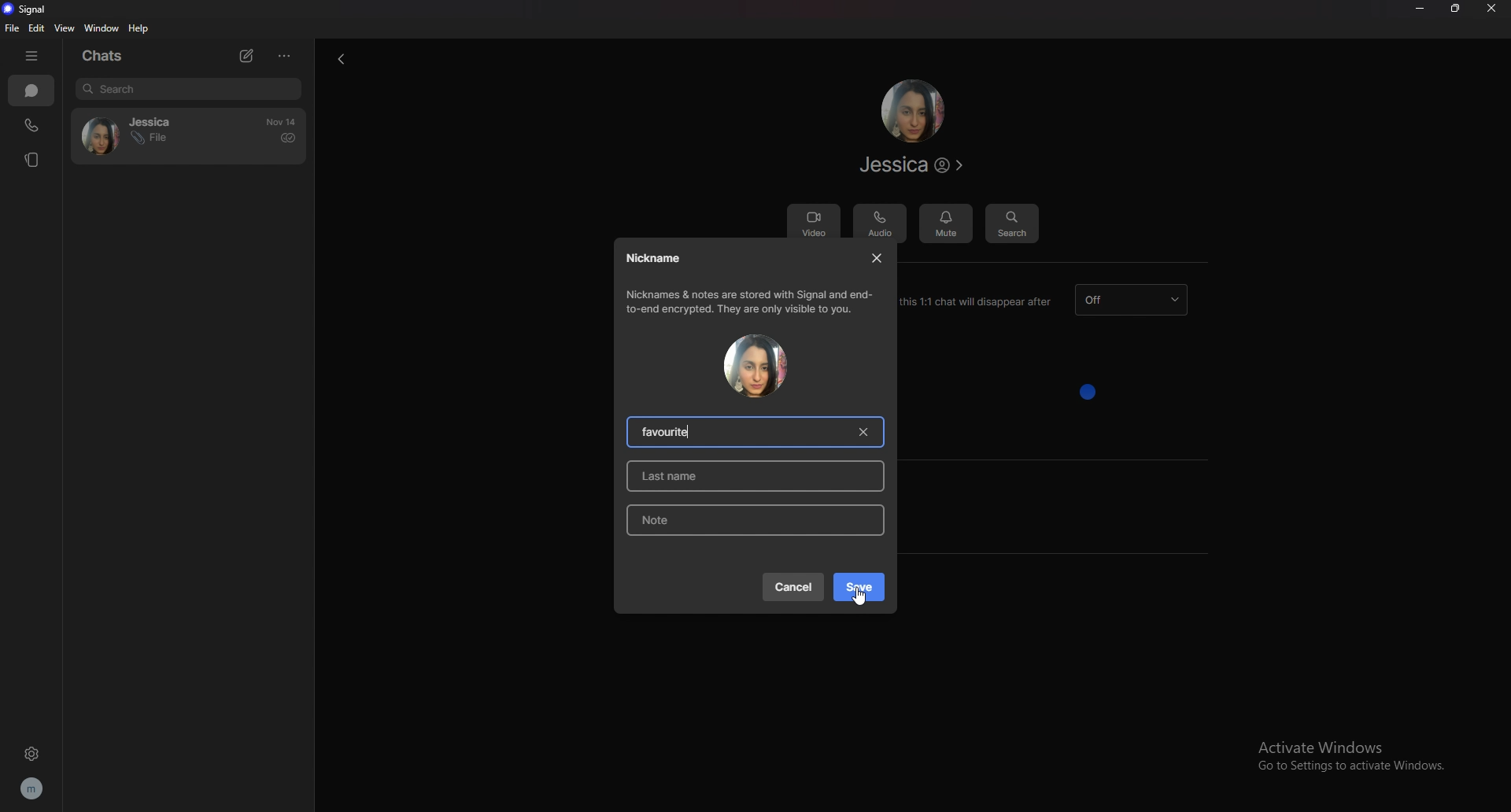 Image resolution: width=1511 pixels, height=812 pixels. What do you see at coordinates (281, 122) in the screenshot?
I see `time` at bounding box center [281, 122].